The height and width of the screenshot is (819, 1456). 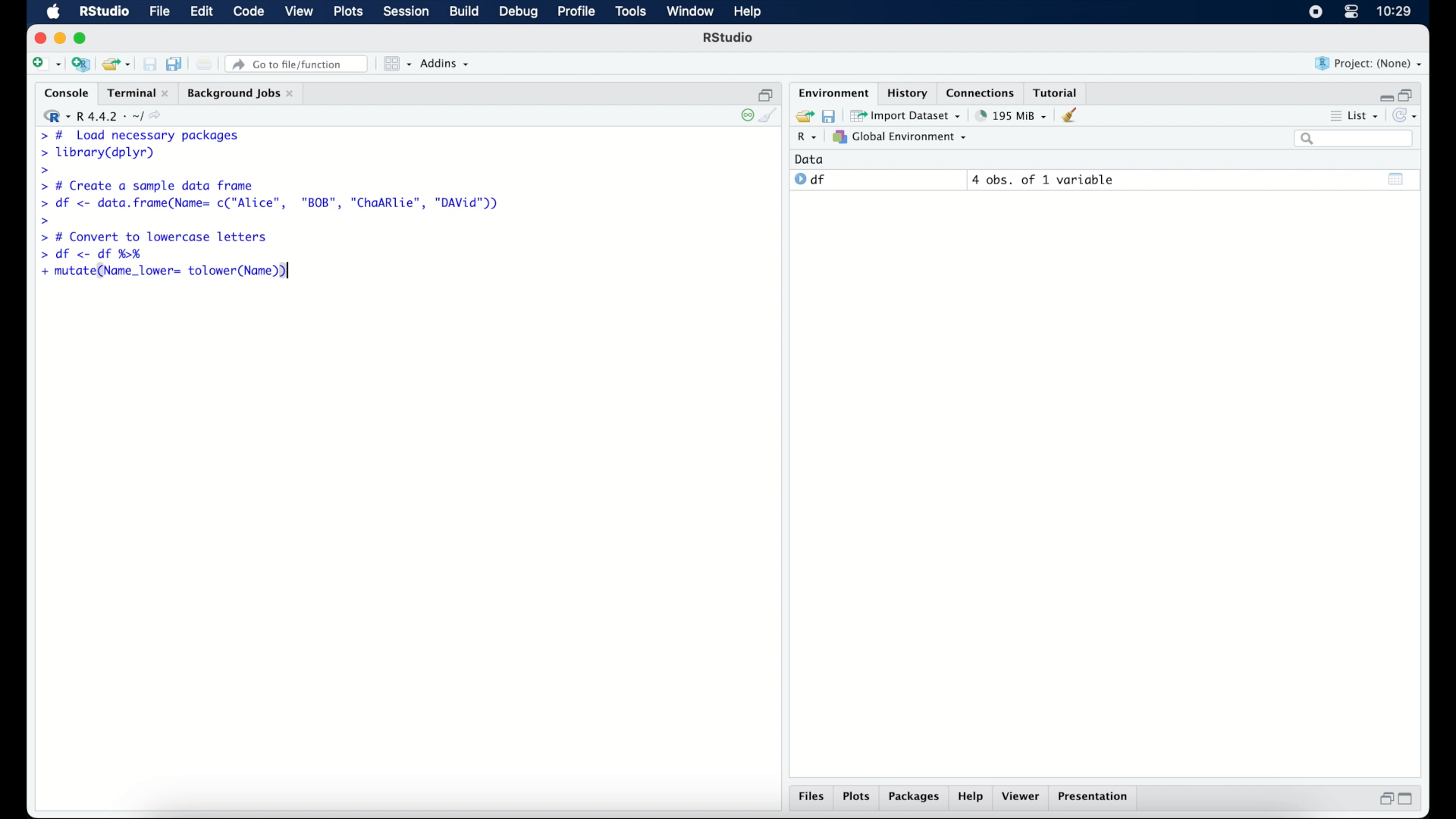 I want to click on clear console, so click(x=772, y=117).